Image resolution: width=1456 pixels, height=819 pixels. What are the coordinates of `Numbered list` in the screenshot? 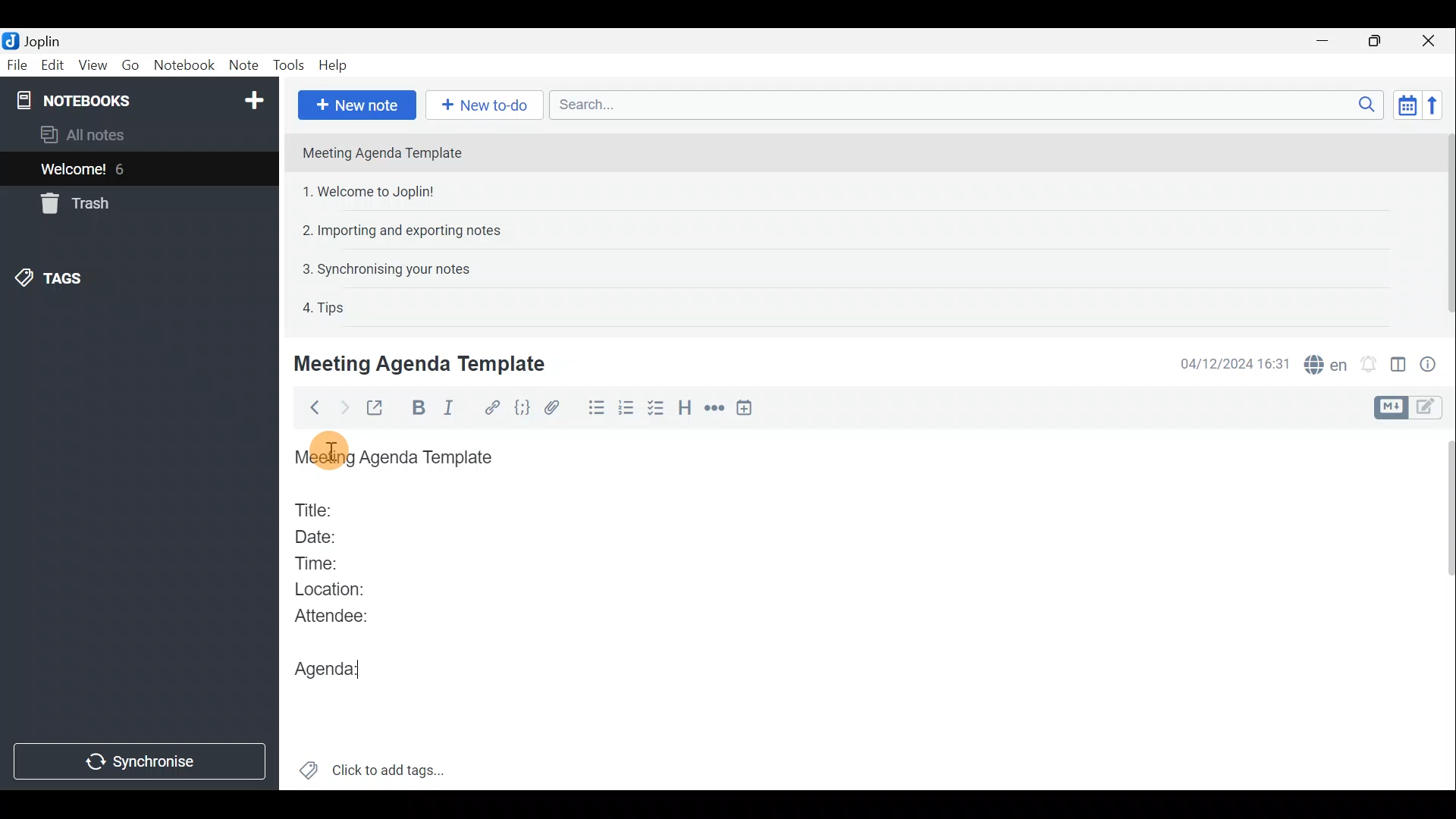 It's located at (626, 410).